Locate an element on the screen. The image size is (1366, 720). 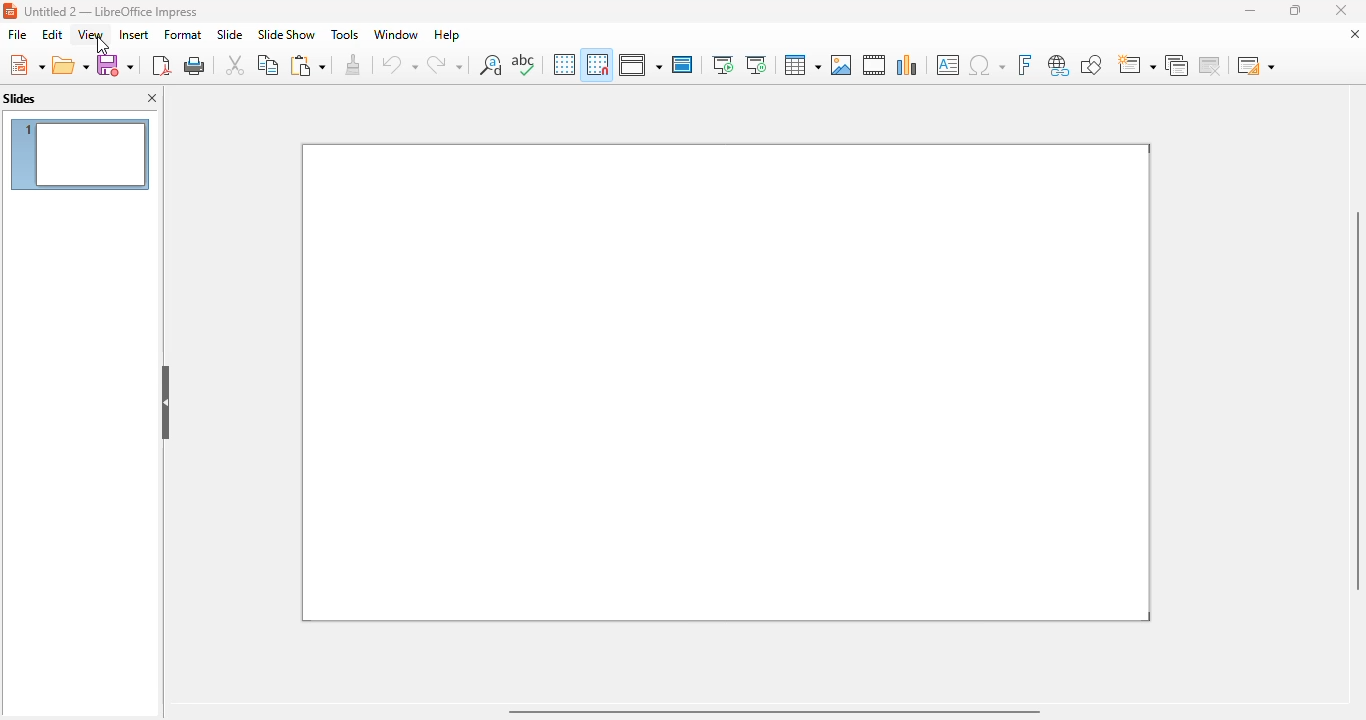
insert chart is located at coordinates (908, 65).